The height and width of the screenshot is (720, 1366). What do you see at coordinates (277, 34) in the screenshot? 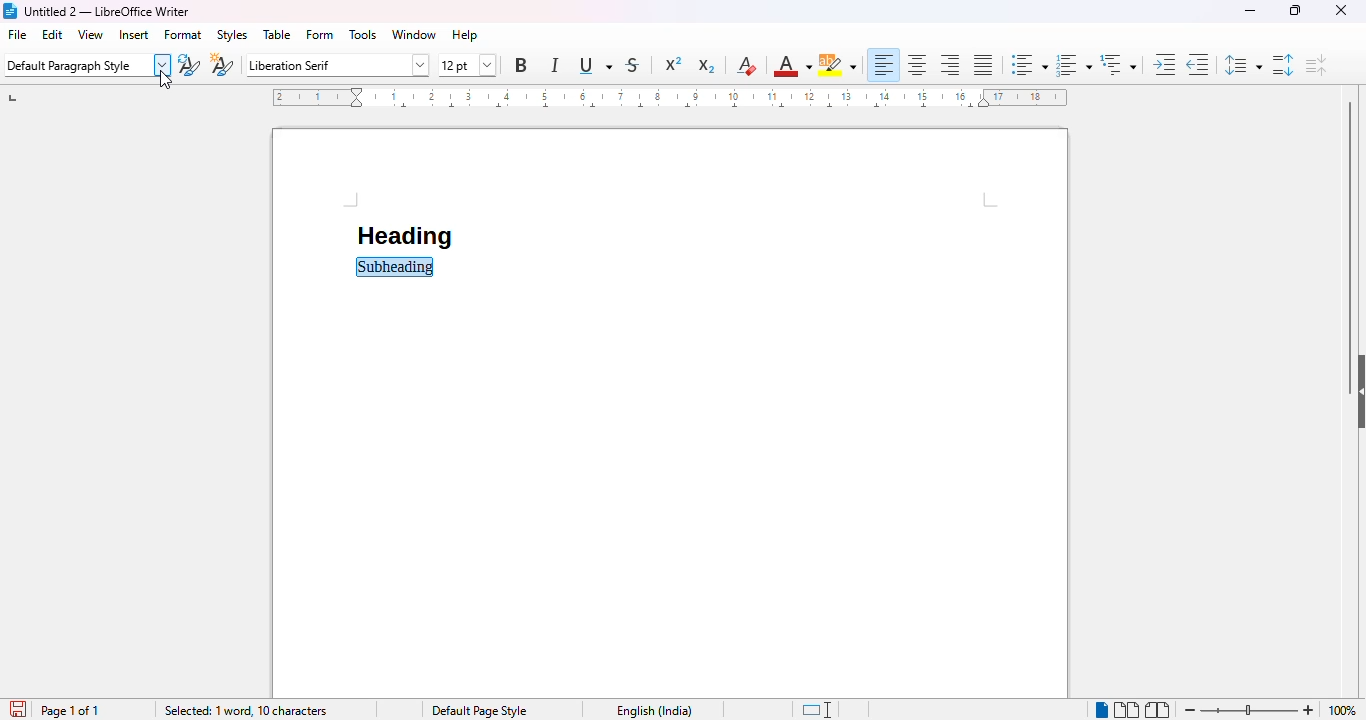
I see `table` at bounding box center [277, 34].